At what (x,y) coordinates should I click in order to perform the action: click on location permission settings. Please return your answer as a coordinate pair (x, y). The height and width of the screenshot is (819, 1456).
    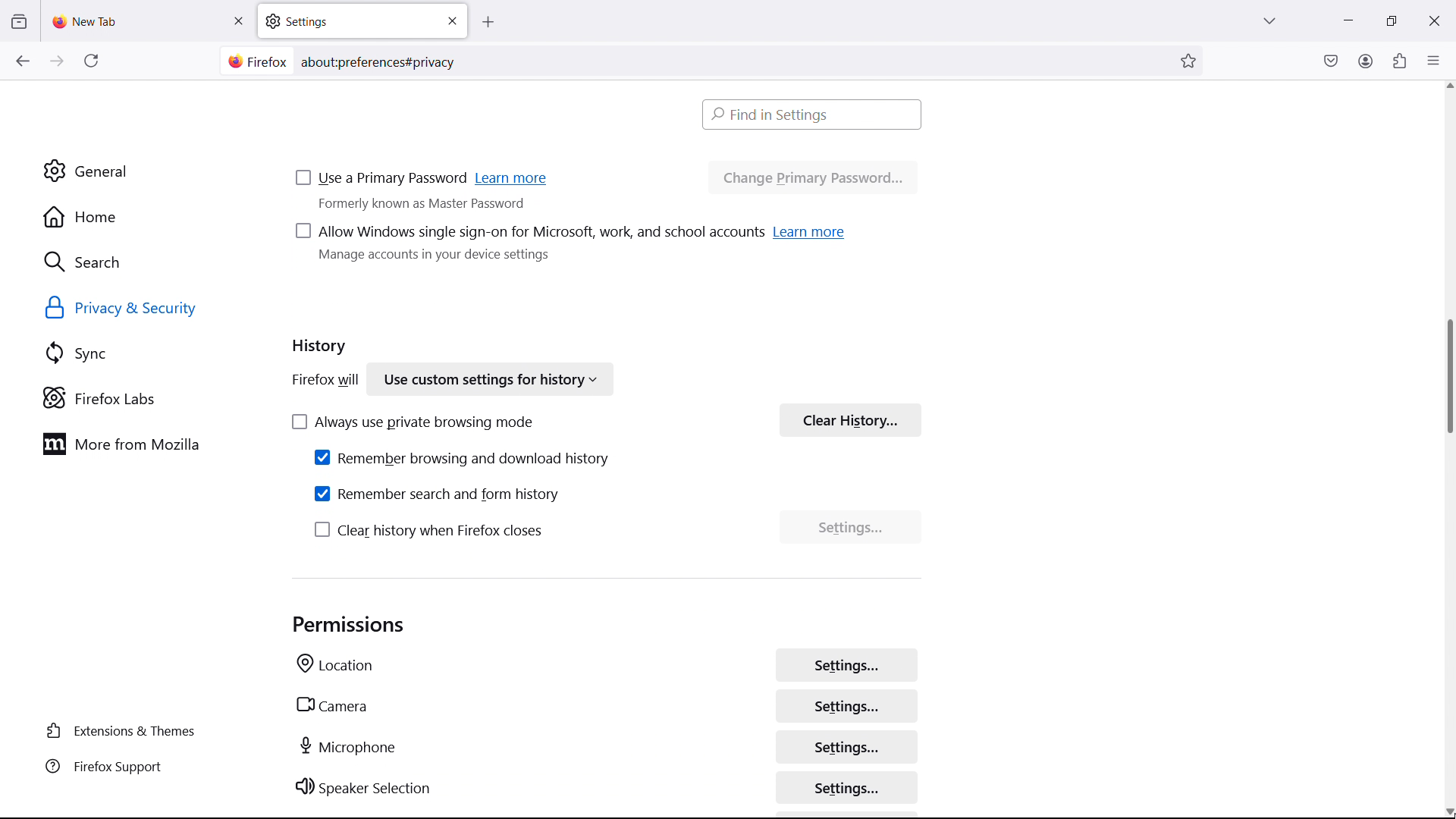
    Looking at the image, I should click on (846, 662).